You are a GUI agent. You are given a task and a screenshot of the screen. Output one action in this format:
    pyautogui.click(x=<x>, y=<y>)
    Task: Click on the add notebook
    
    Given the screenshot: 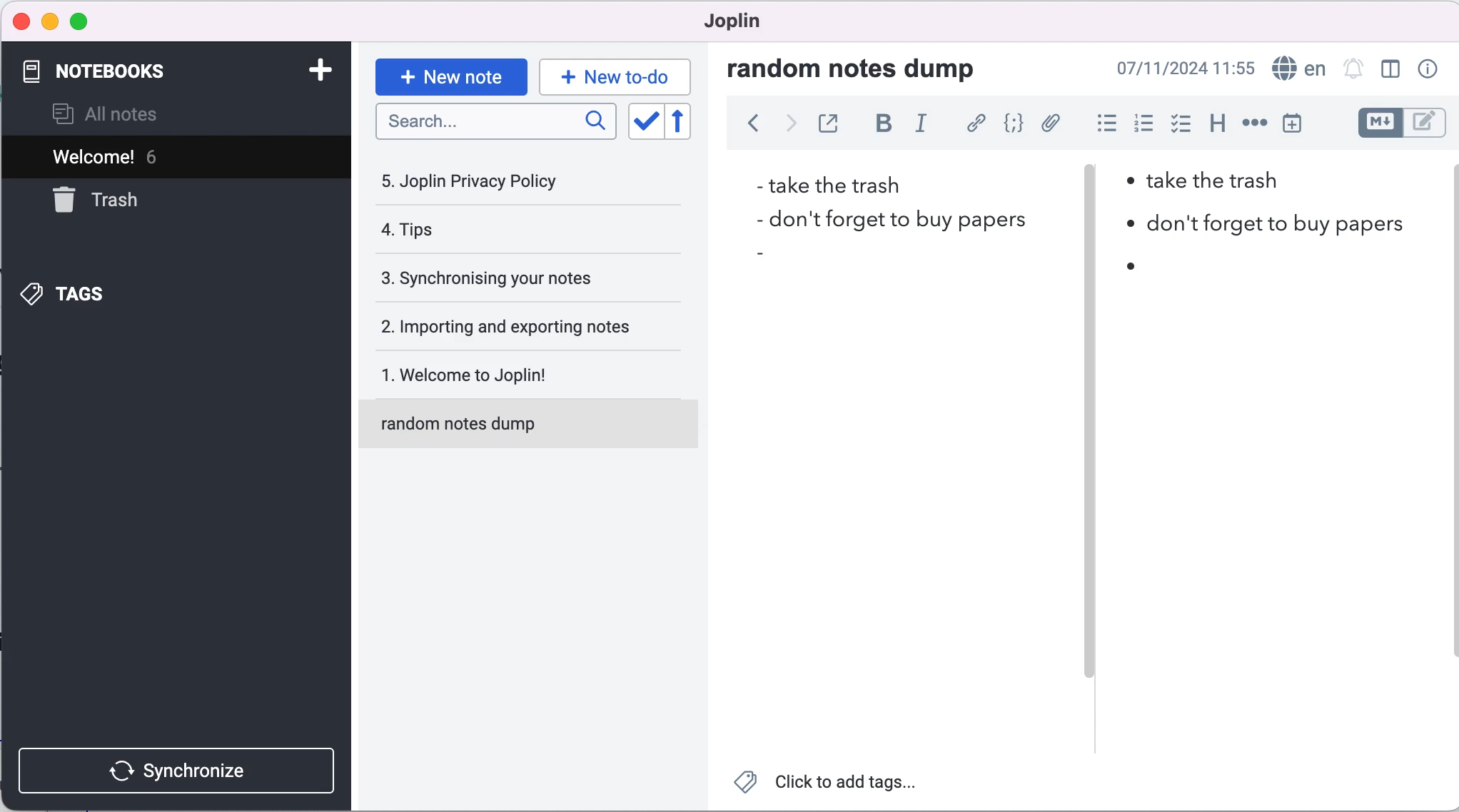 What is the action you would take?
    pyautogui.click(x=313, y=73)
    